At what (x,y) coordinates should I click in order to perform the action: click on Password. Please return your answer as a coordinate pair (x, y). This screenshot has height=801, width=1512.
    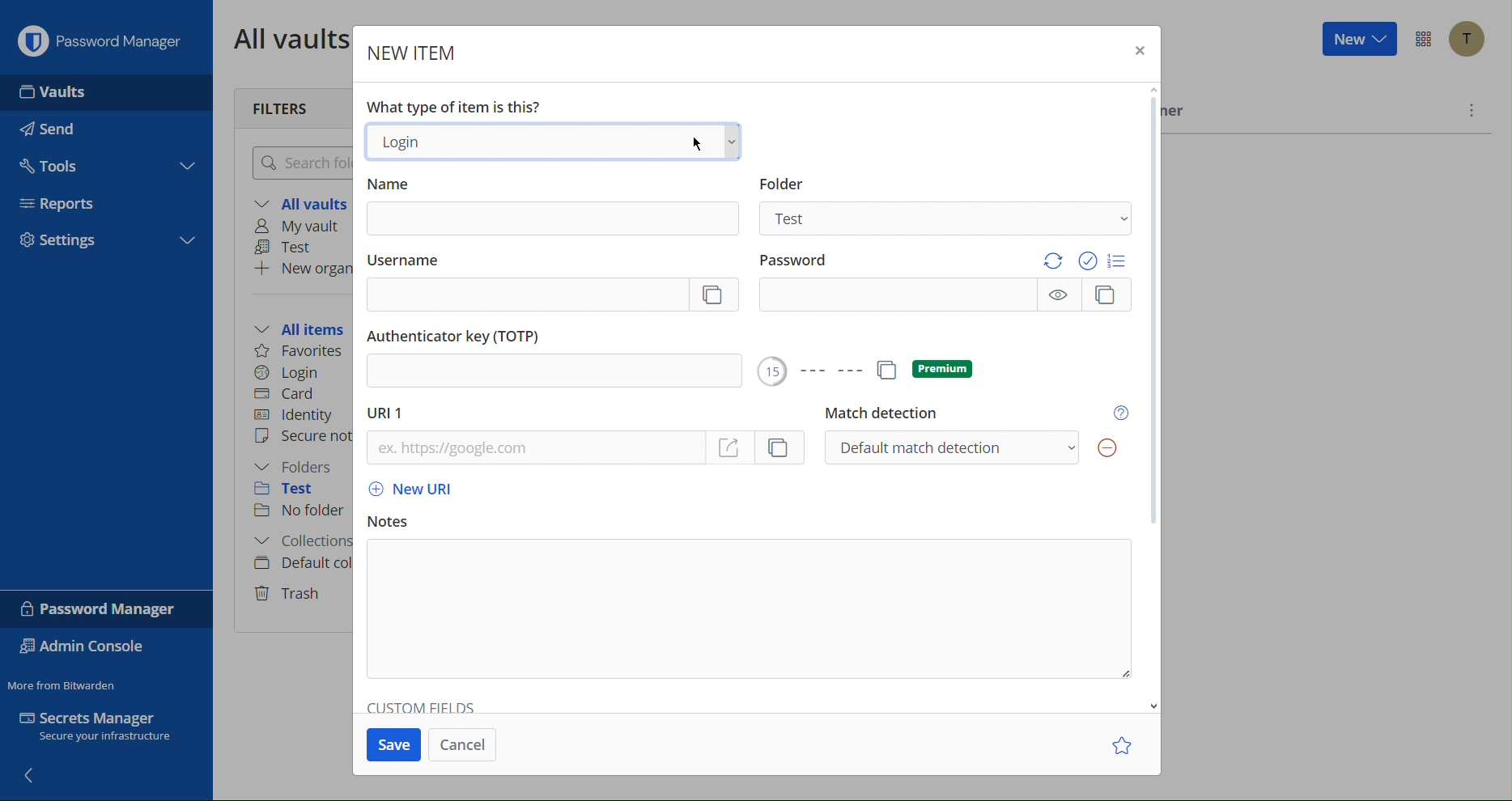
    Looking at the image, I should click on (791, 260).